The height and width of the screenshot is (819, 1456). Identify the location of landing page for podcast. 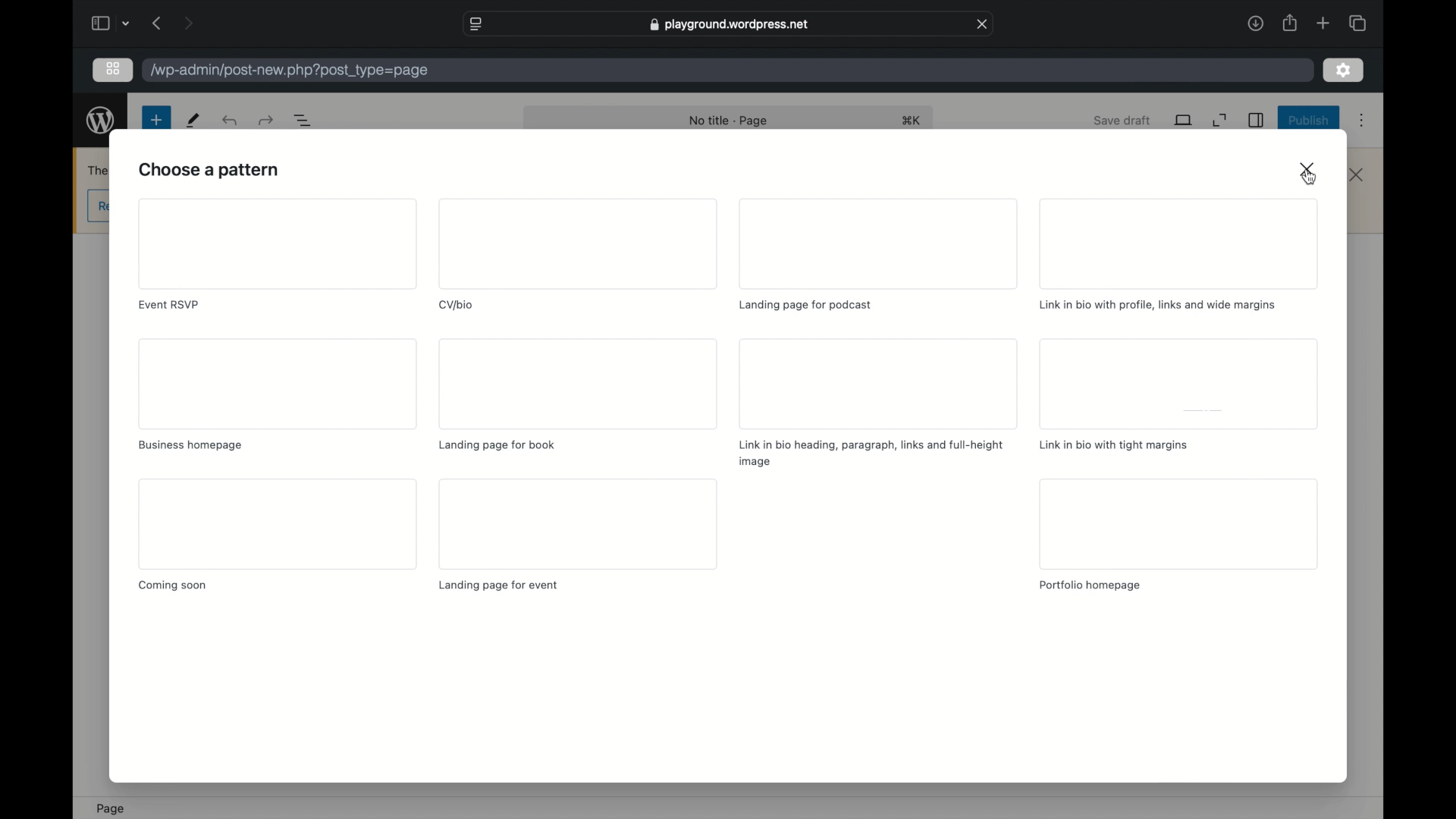
(806, 306).